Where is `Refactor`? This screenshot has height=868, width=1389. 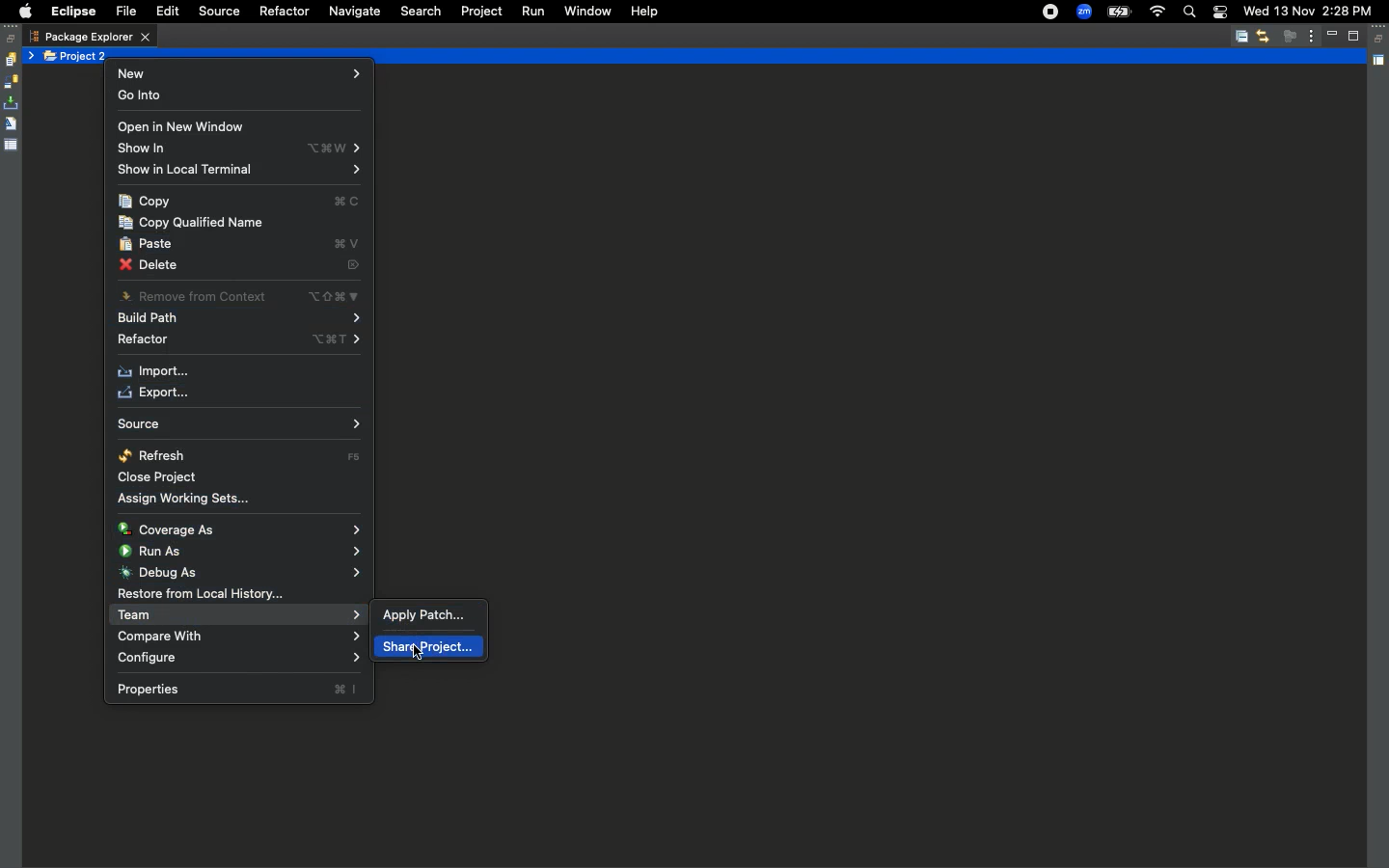 Refactor is located at coordinates (237, 341).